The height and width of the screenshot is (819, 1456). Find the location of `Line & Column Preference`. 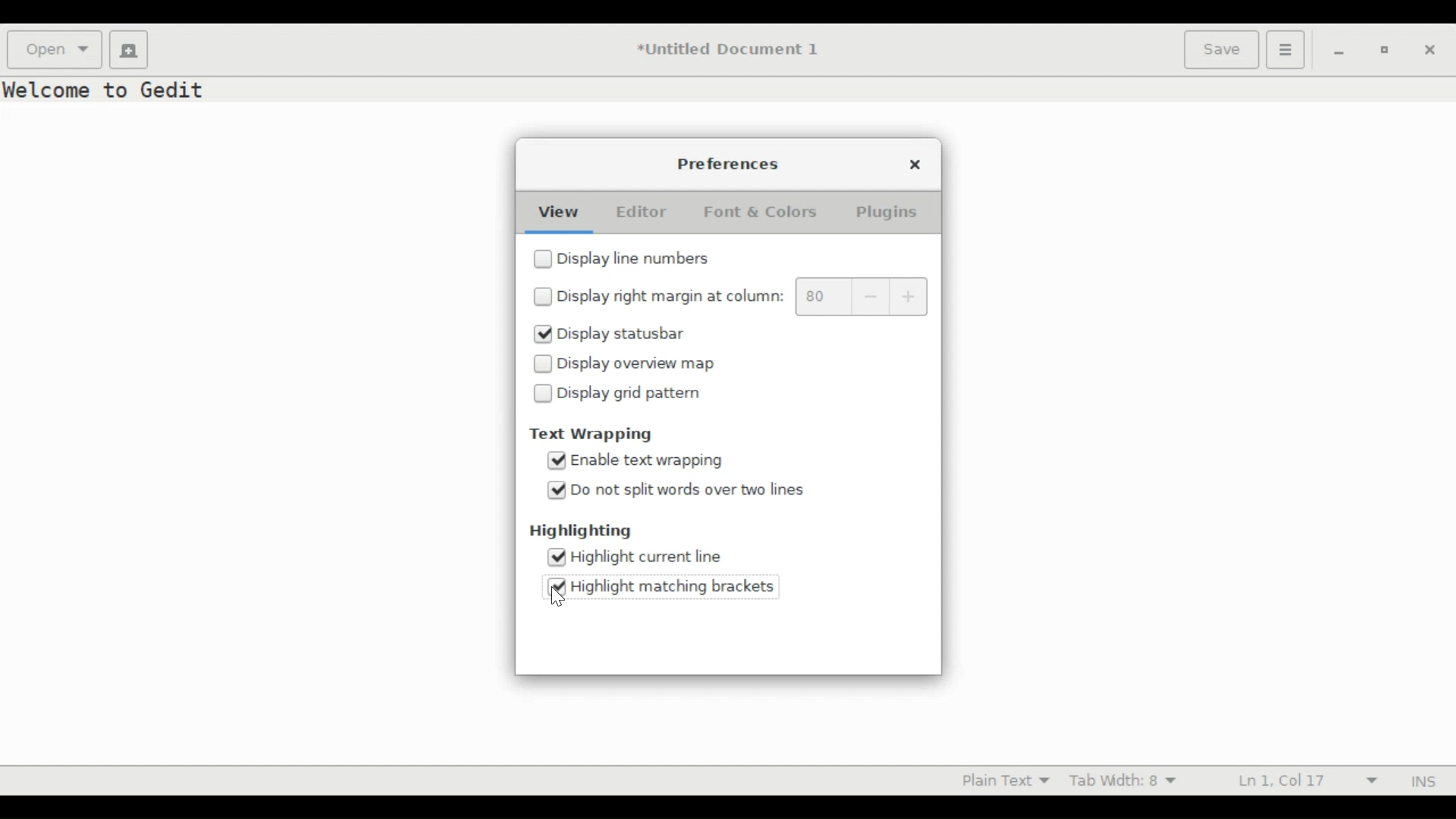

Line & Column Preference is located at coordinates (1304, 779).